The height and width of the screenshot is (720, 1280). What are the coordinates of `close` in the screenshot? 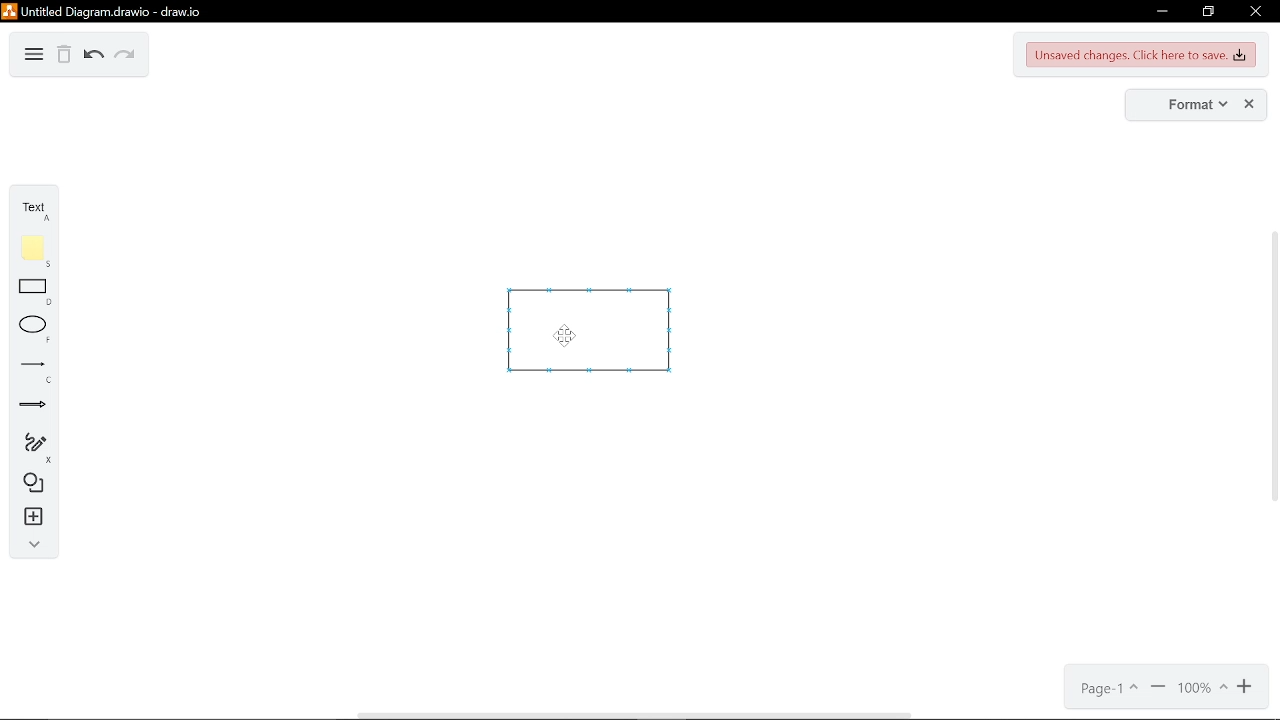 It's located at (1251, 105).